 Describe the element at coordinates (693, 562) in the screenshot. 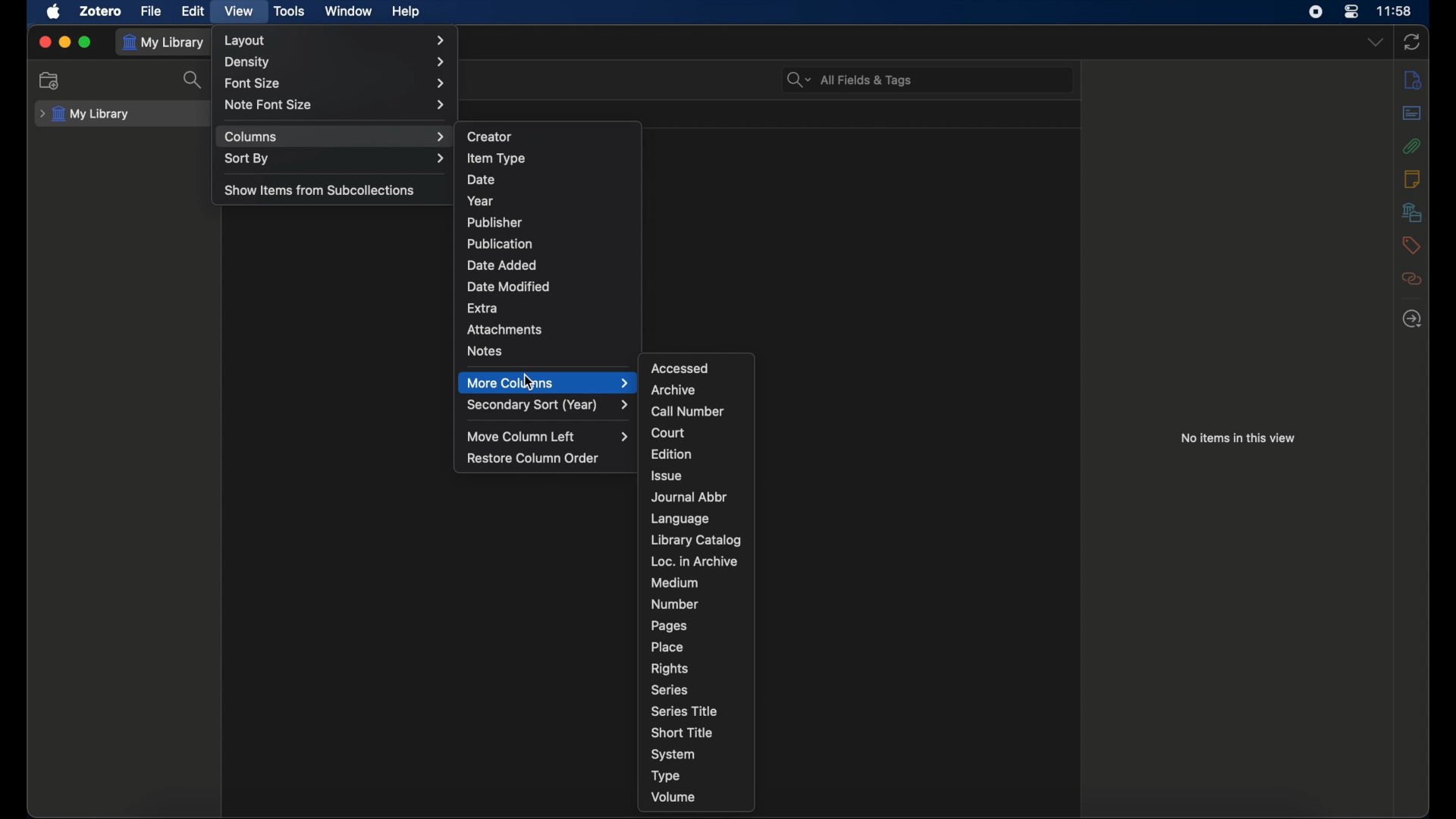

I see `loc. in archive` at that location.